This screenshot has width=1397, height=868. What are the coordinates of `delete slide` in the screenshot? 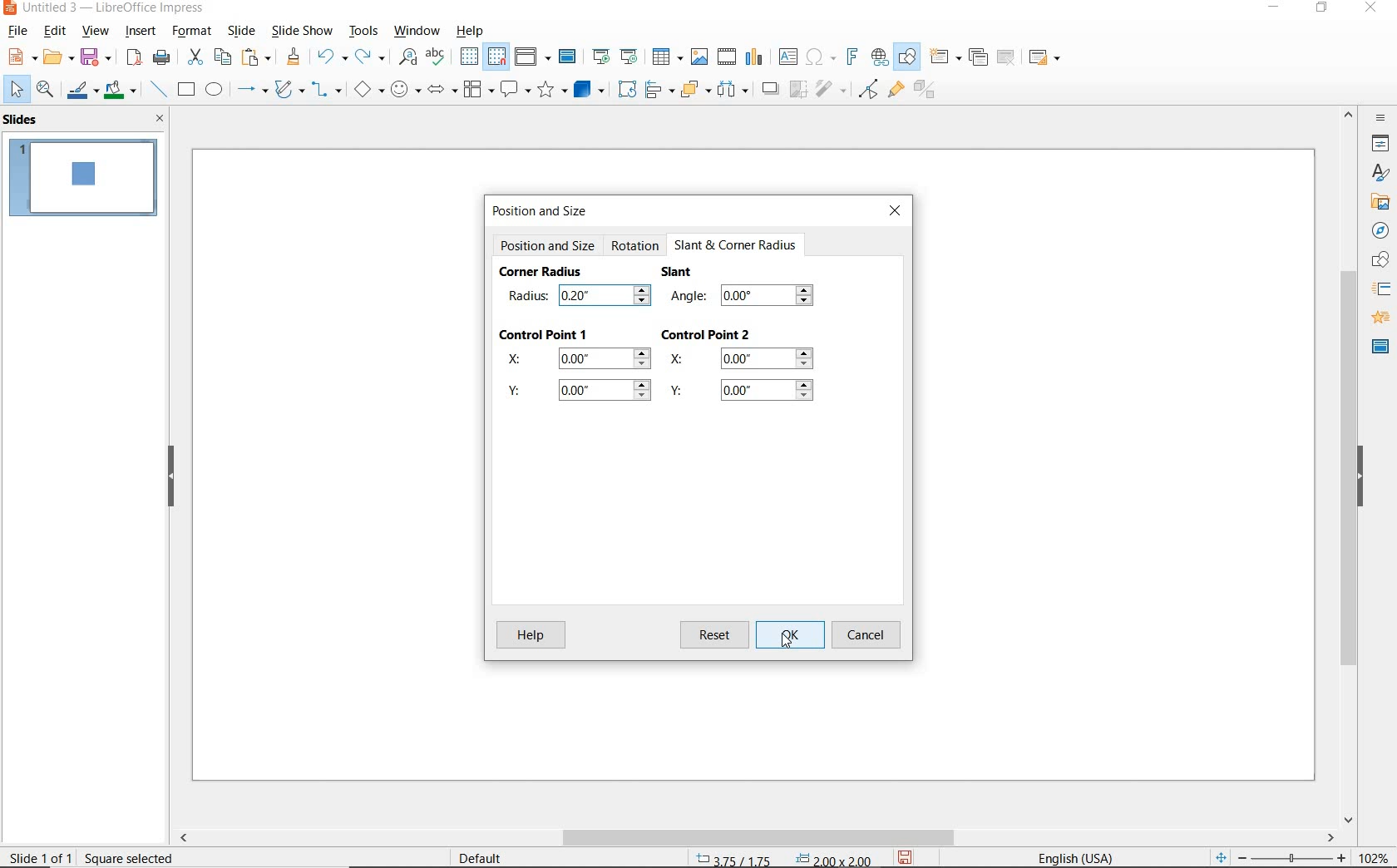 It's located at (1009, 57).